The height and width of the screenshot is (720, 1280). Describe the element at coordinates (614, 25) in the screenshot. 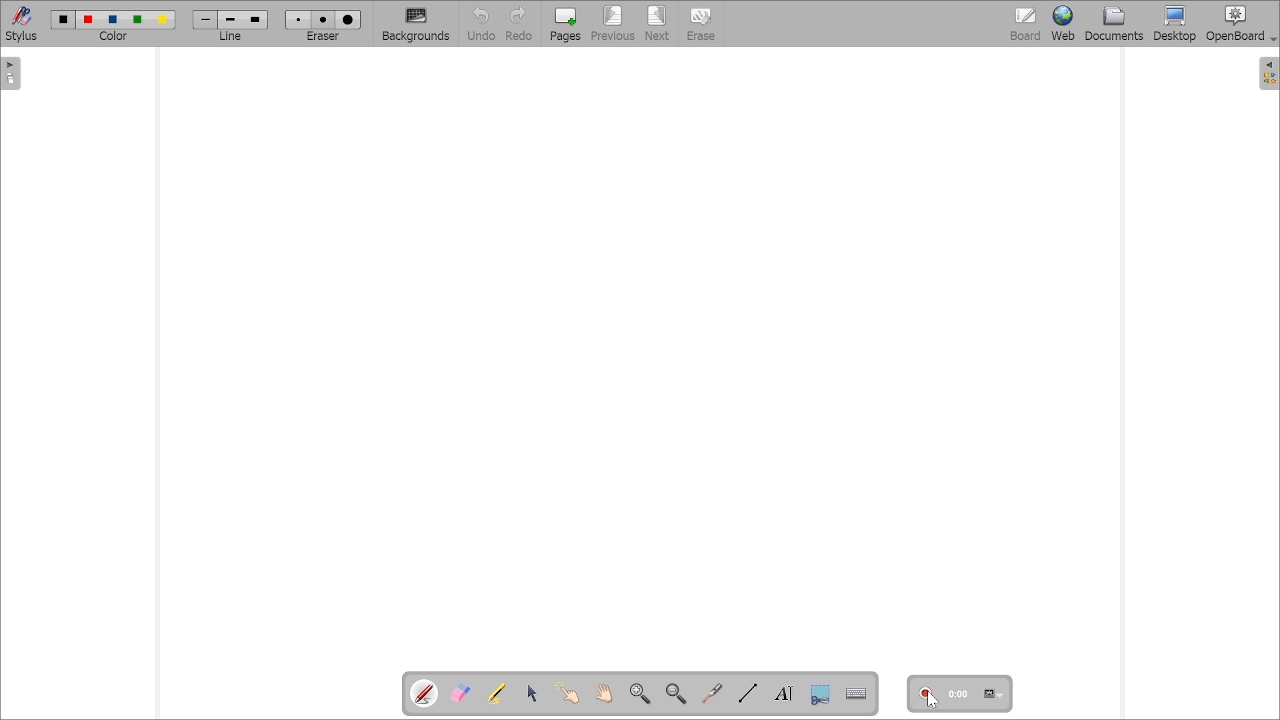

I see `Previous` at that location.